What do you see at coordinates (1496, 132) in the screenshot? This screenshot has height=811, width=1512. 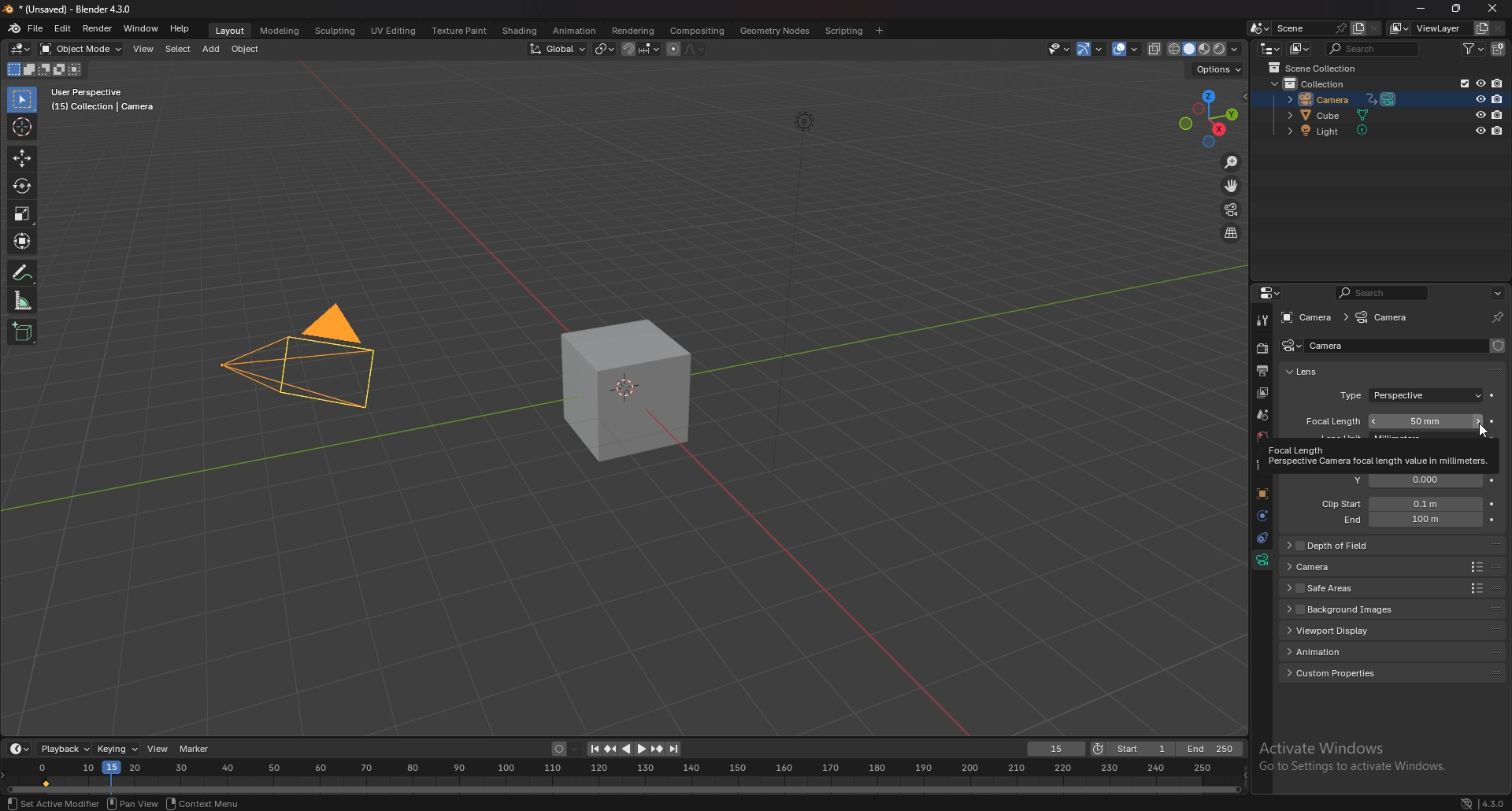 I see `disable in renders` at bounding box center [1496, 132].